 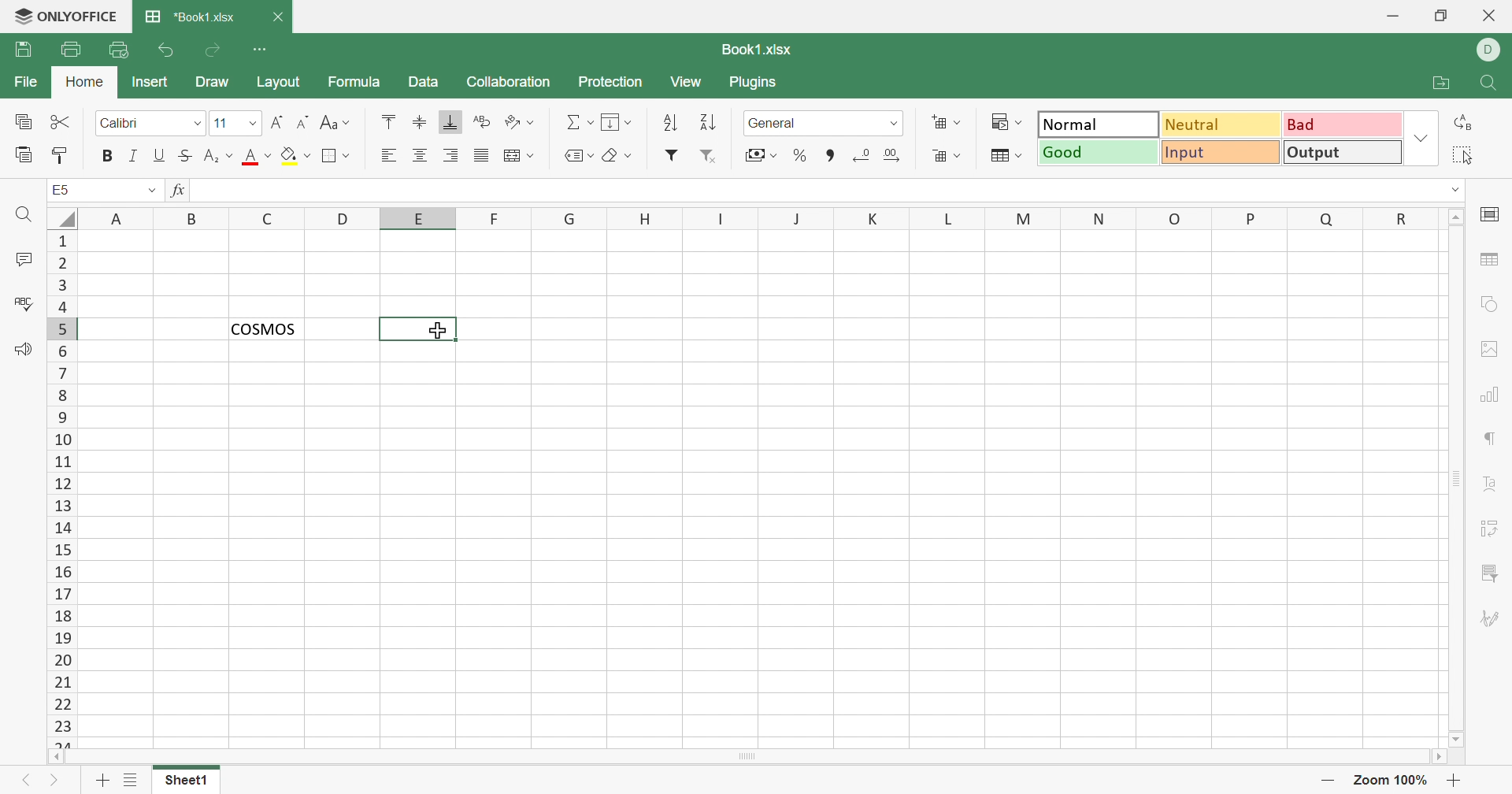 What do you see at coordinates (295, 157) in the screenshot?
I see `Fill Color` at bounding box center [295, 157].